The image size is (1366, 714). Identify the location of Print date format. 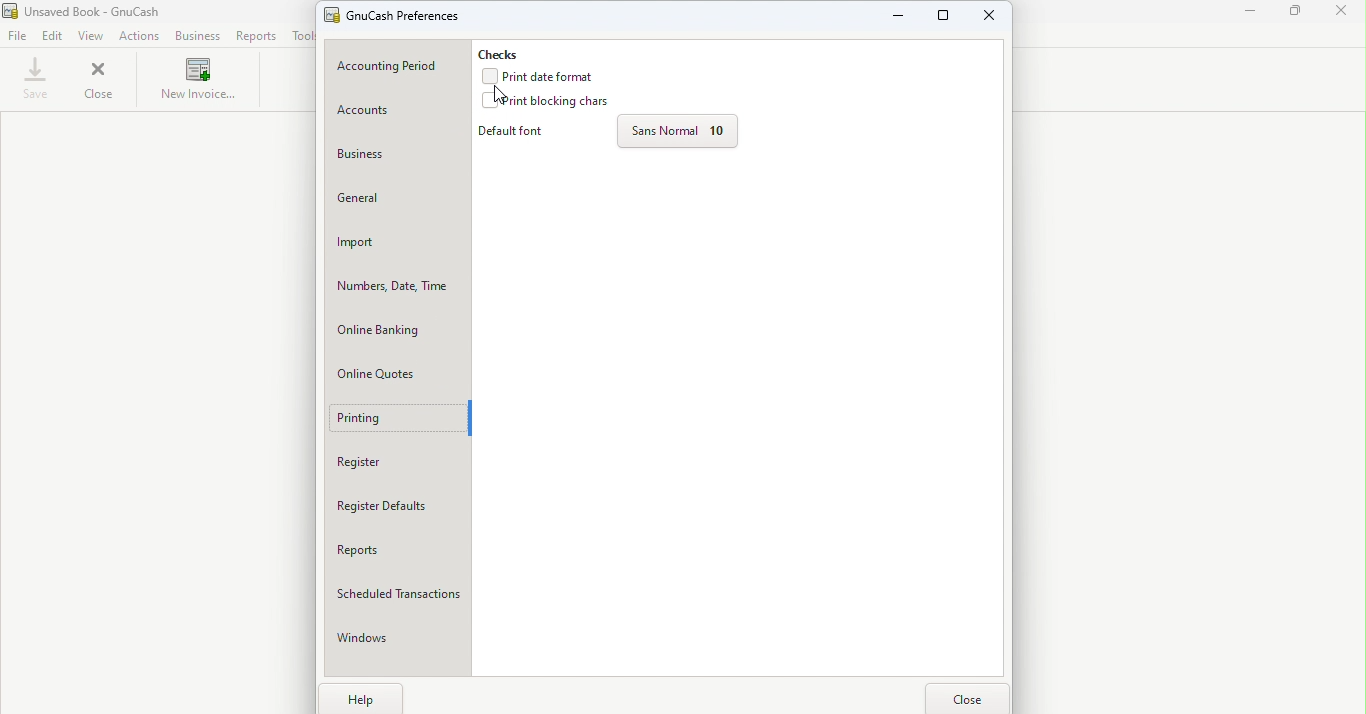
(544, 76).